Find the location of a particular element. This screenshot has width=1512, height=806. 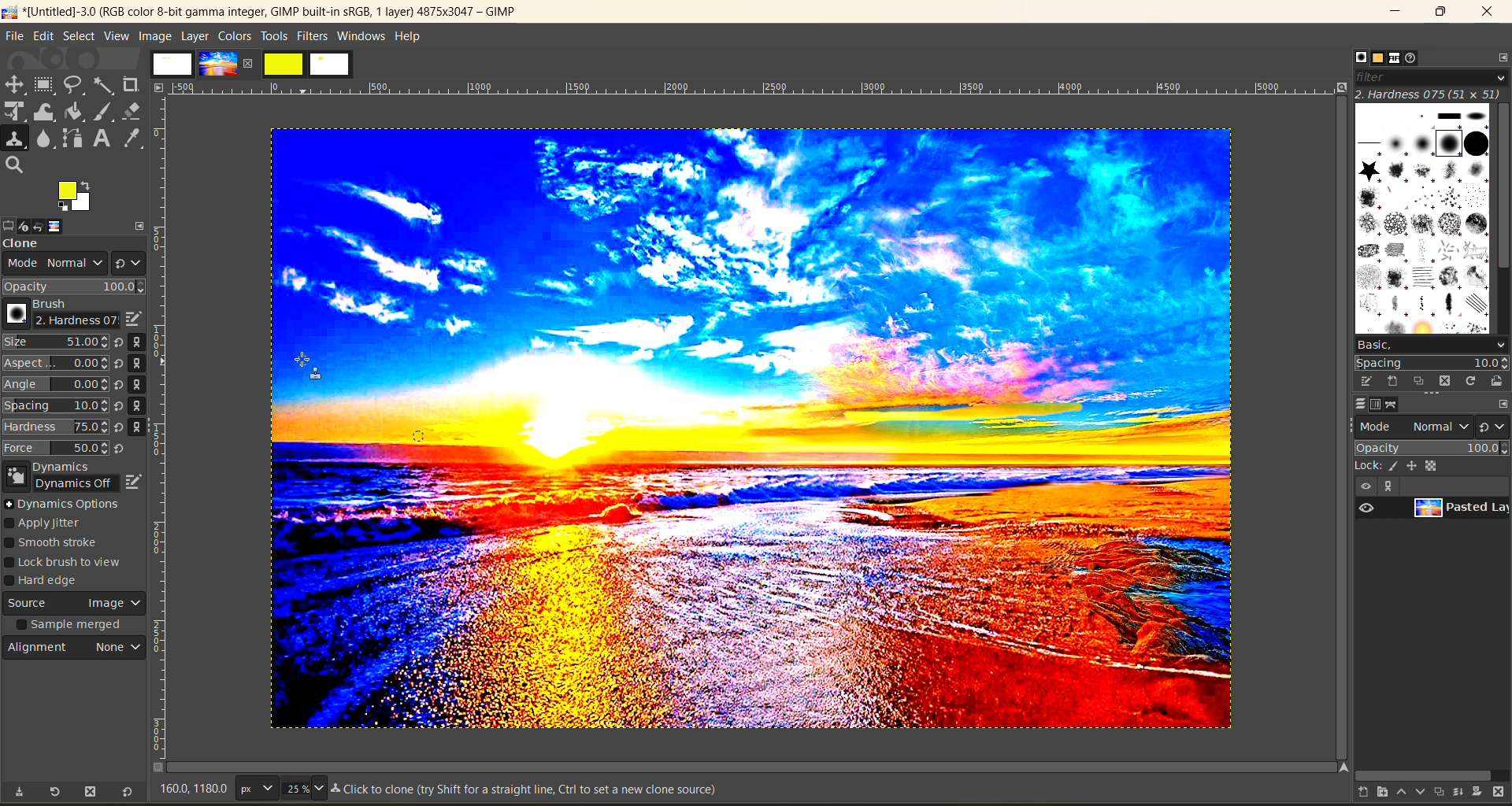

metadata is located at coordinates (528, 791).